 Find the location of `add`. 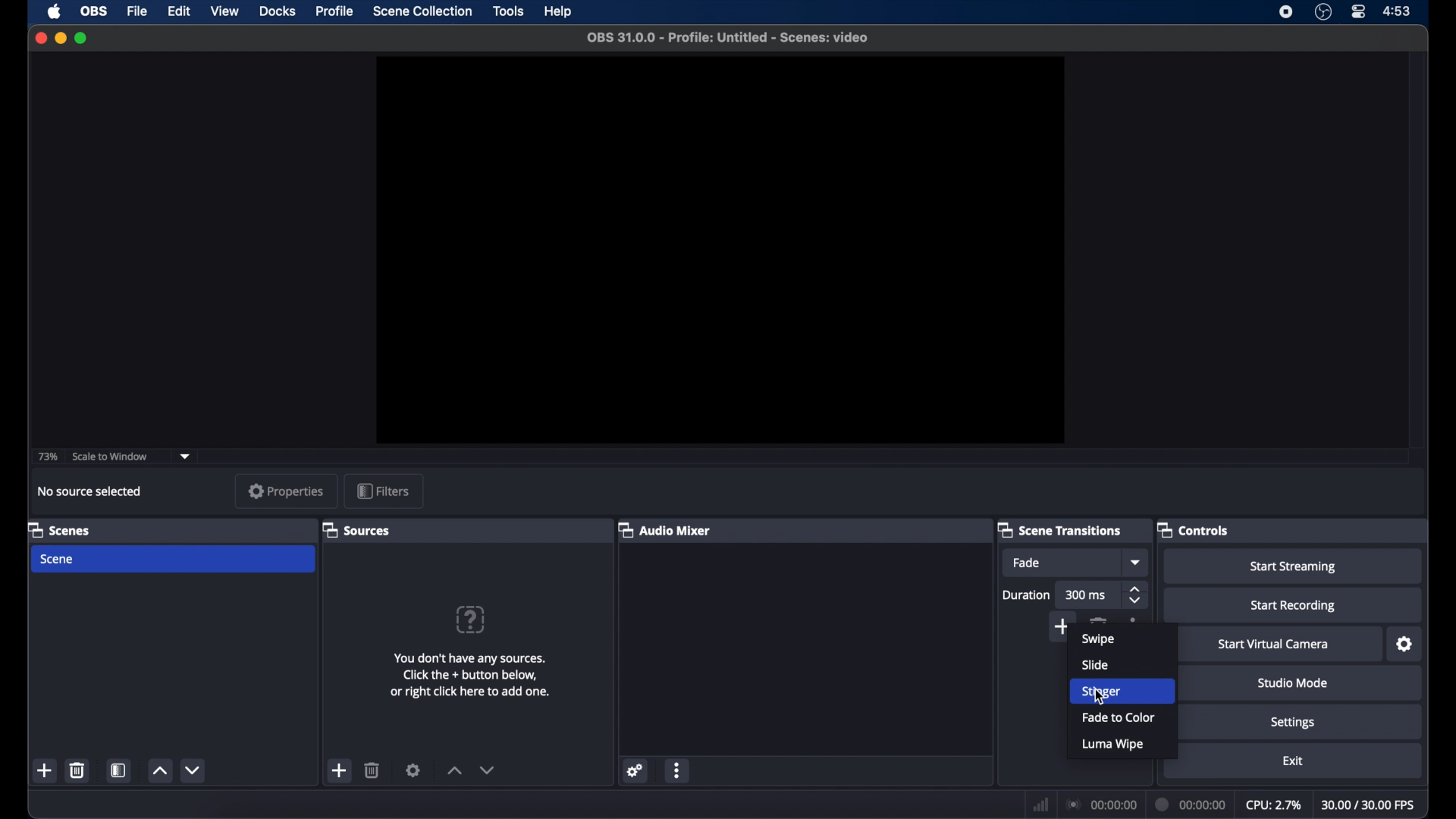

add is located at coordinates (45, 771).